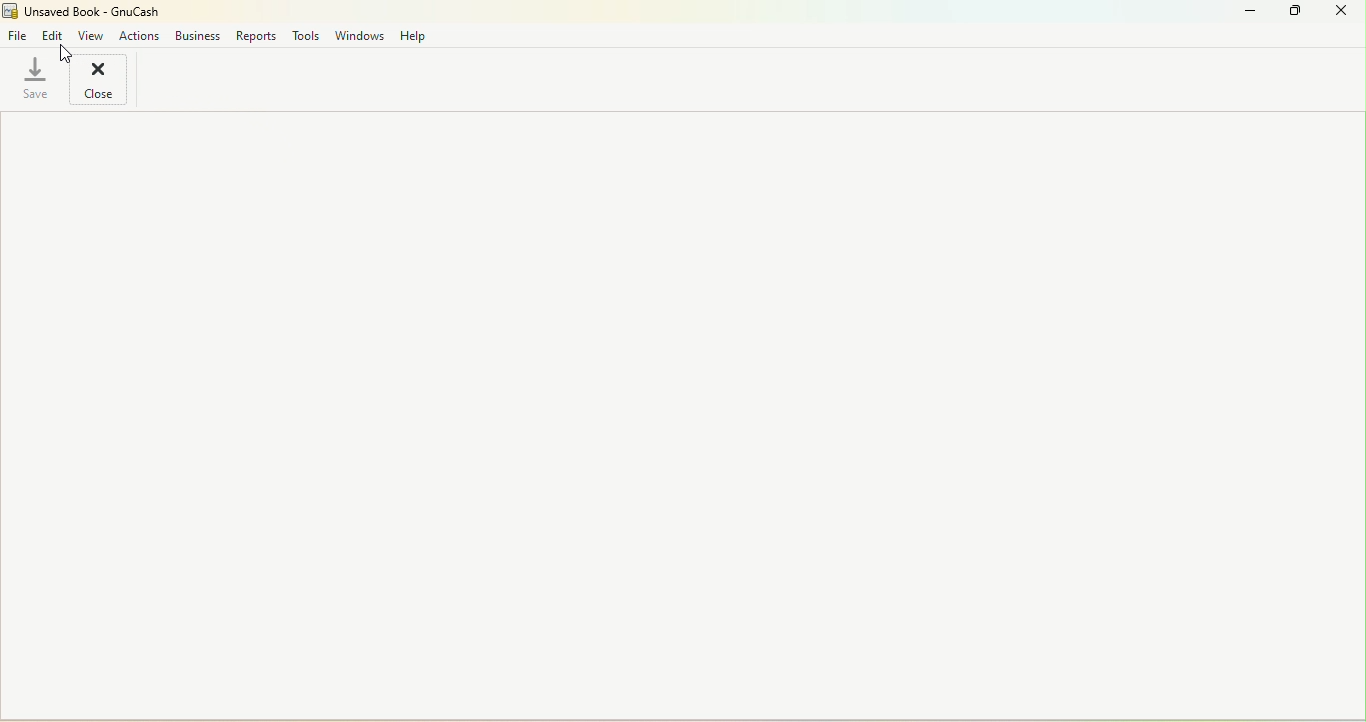 The width and height of the screenshot is (1366, 722). Describe the element at coordinates (84, 10) in the screenshot. I see `File name` at that location.